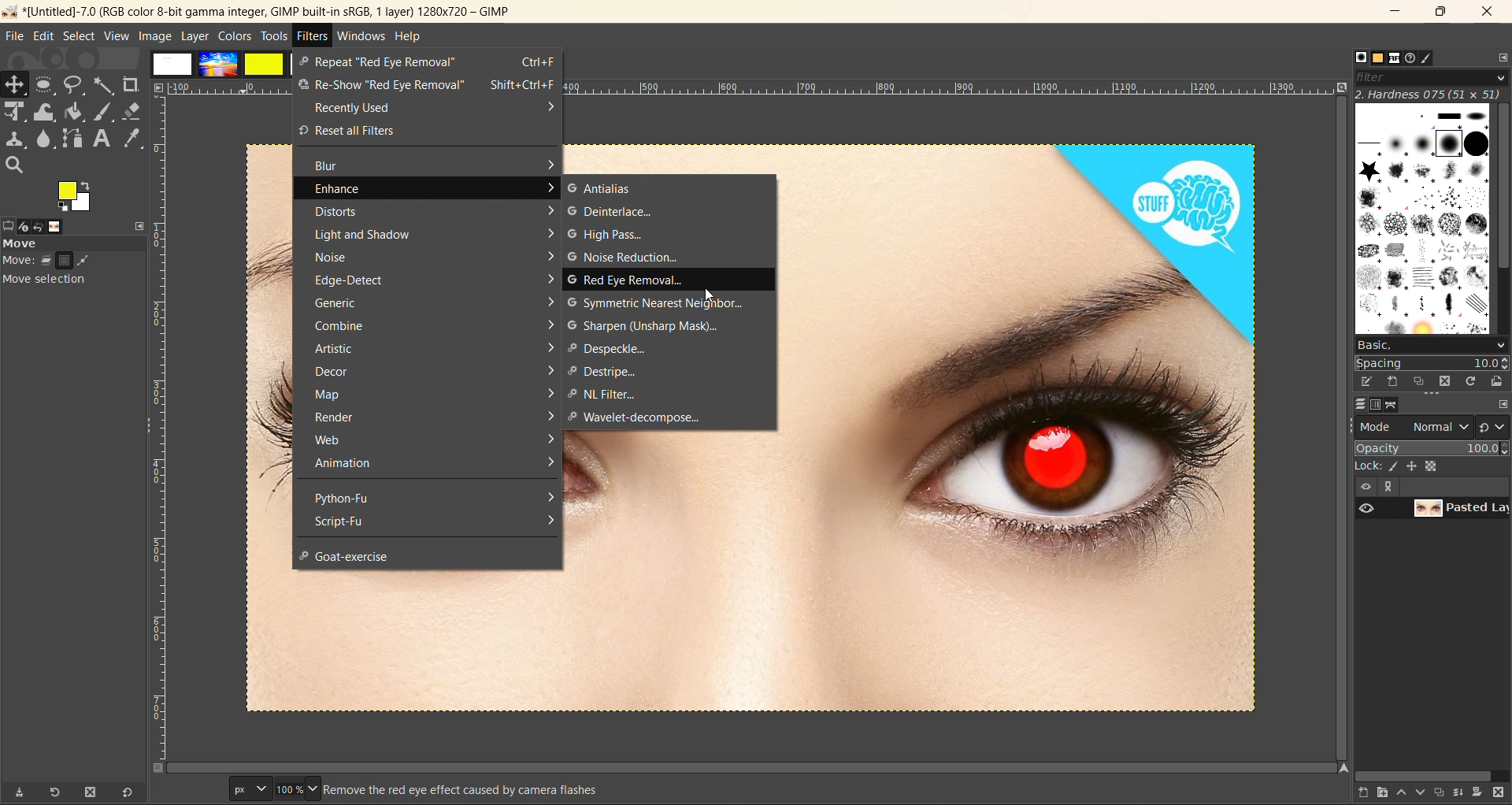 Image resolution: width=1512 pixels, height=805 pixels. Describe the element at coordinates (1427, 774) in the screenshot. I see `horizontal scroll bar` at that location.